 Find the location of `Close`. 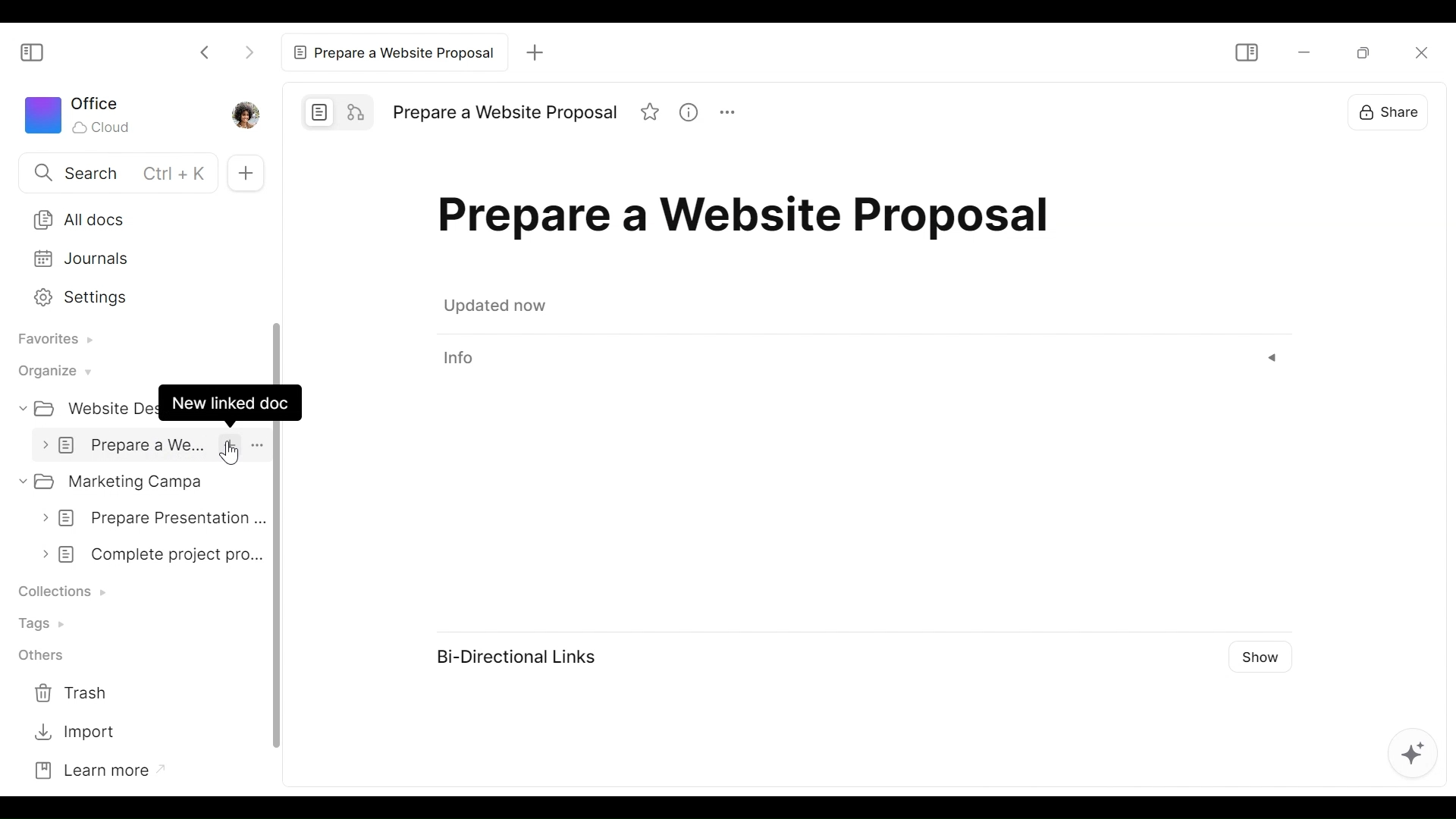

Close is located at coordinates (1419, 52).